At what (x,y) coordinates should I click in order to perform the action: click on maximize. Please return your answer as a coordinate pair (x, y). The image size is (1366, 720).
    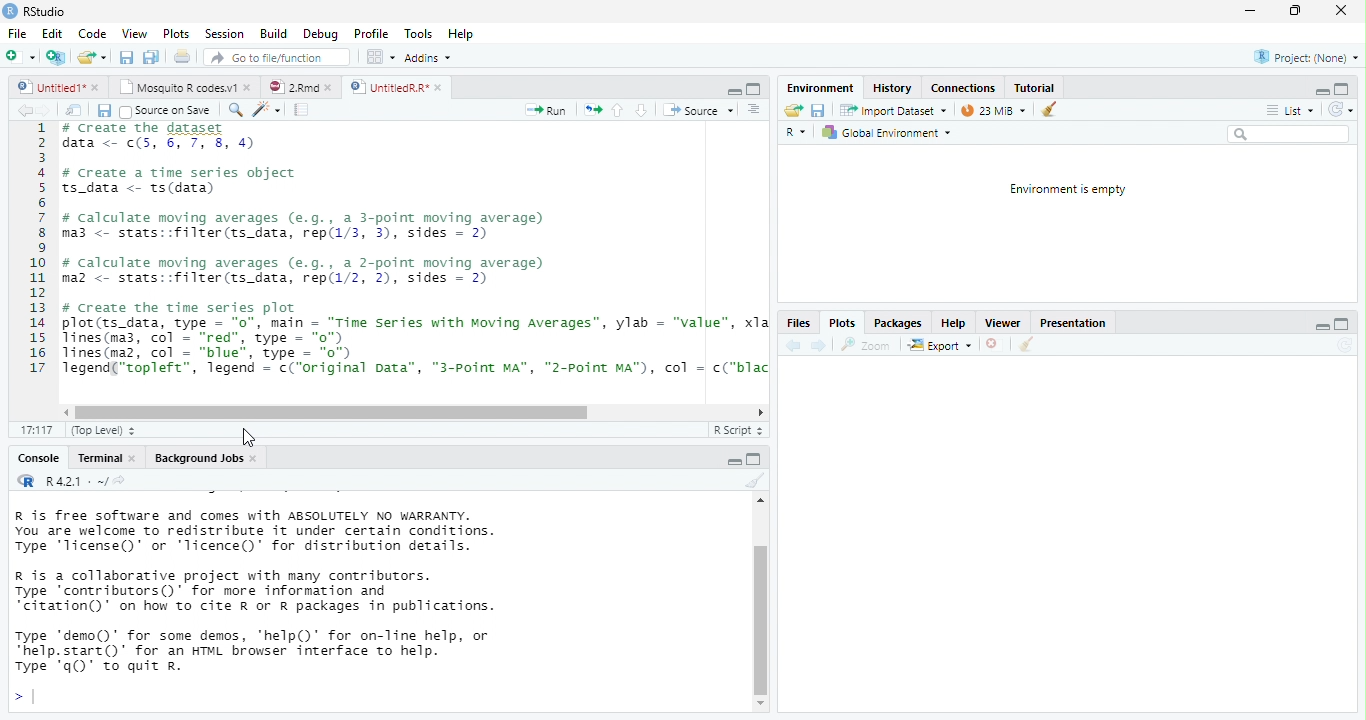
    Looking at the image, I should click on (754, 89).